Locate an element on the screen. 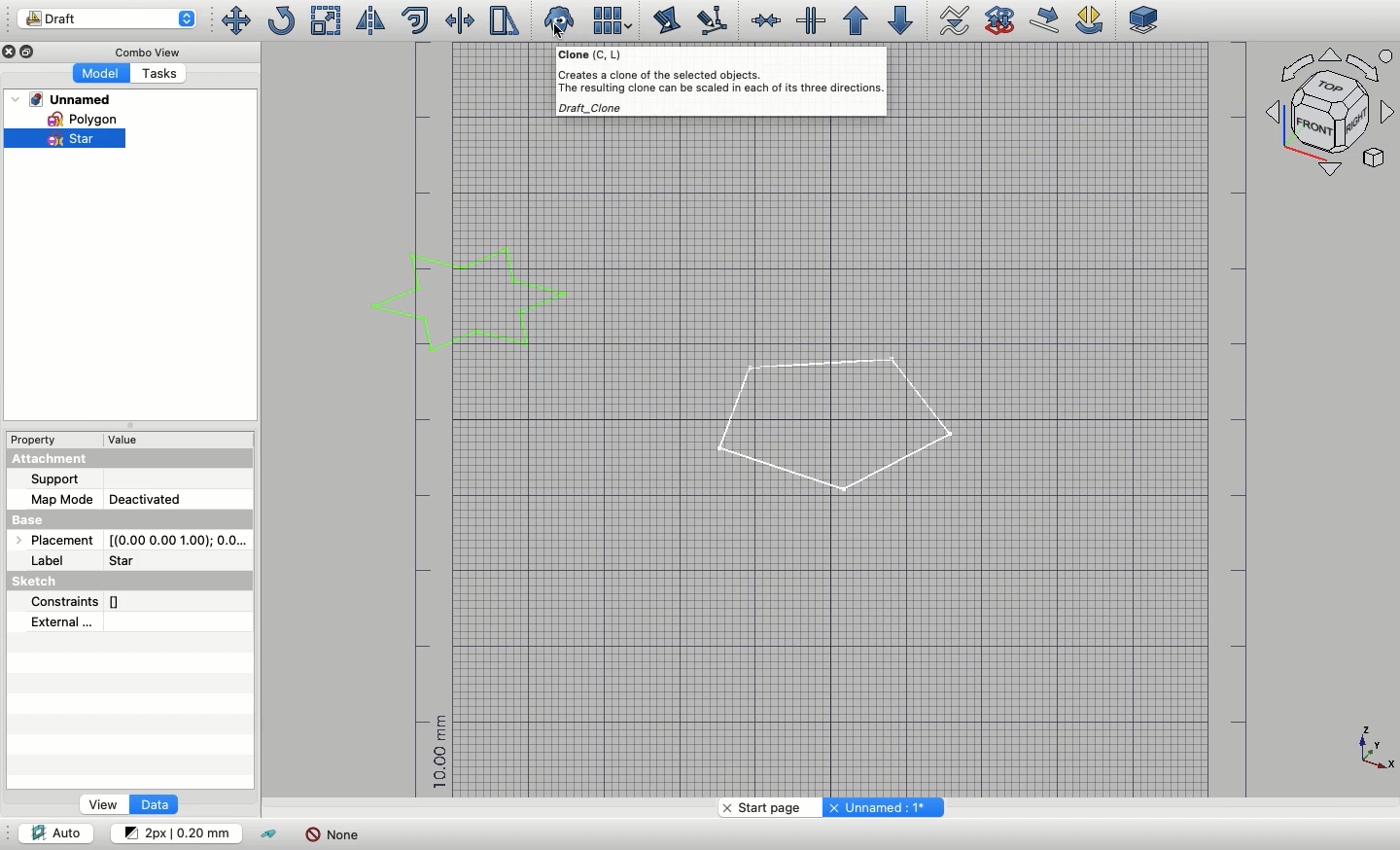  Close clone is located at coordinates (561, 21).